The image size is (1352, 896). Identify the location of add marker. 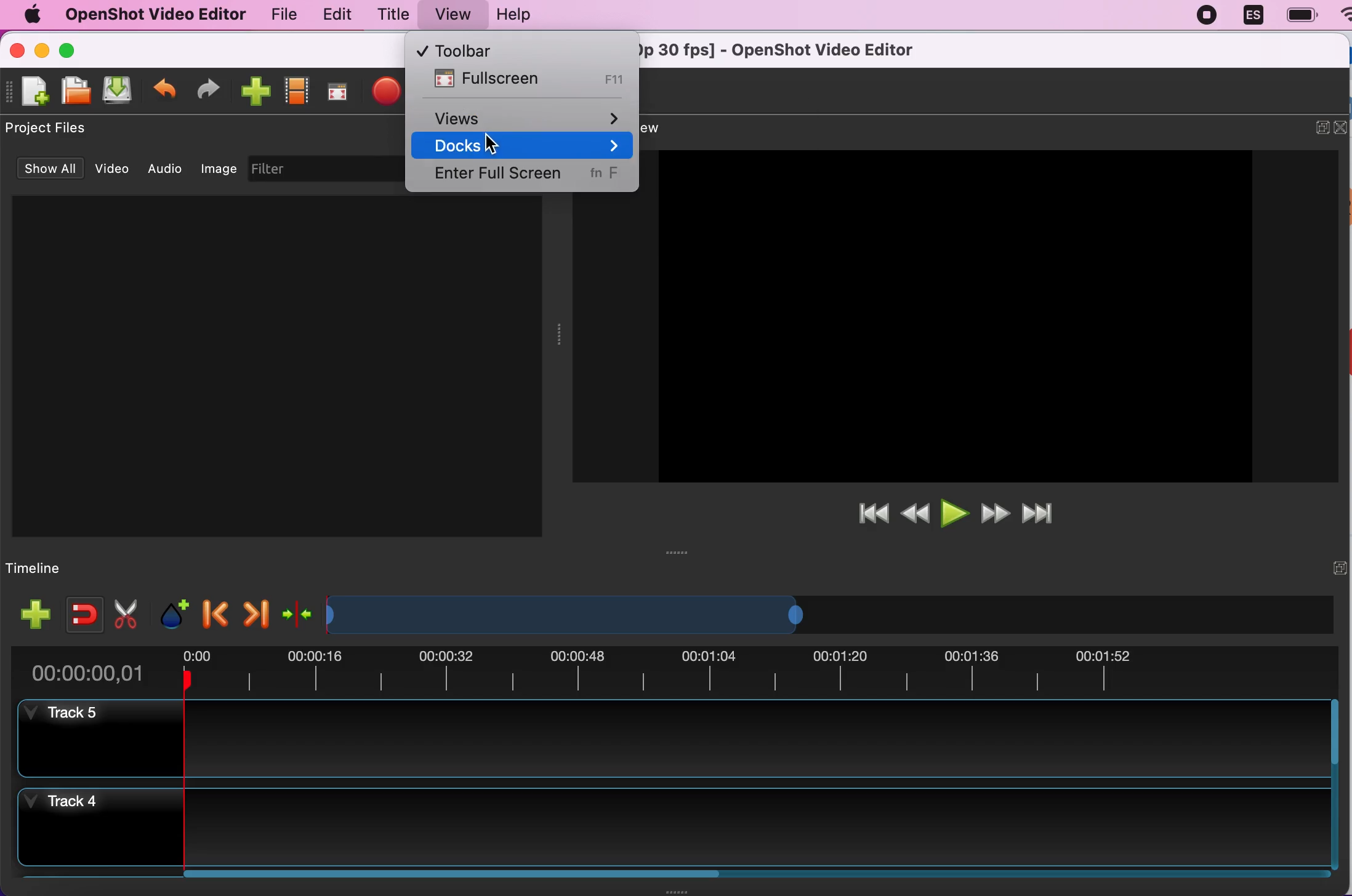
(172, 610).